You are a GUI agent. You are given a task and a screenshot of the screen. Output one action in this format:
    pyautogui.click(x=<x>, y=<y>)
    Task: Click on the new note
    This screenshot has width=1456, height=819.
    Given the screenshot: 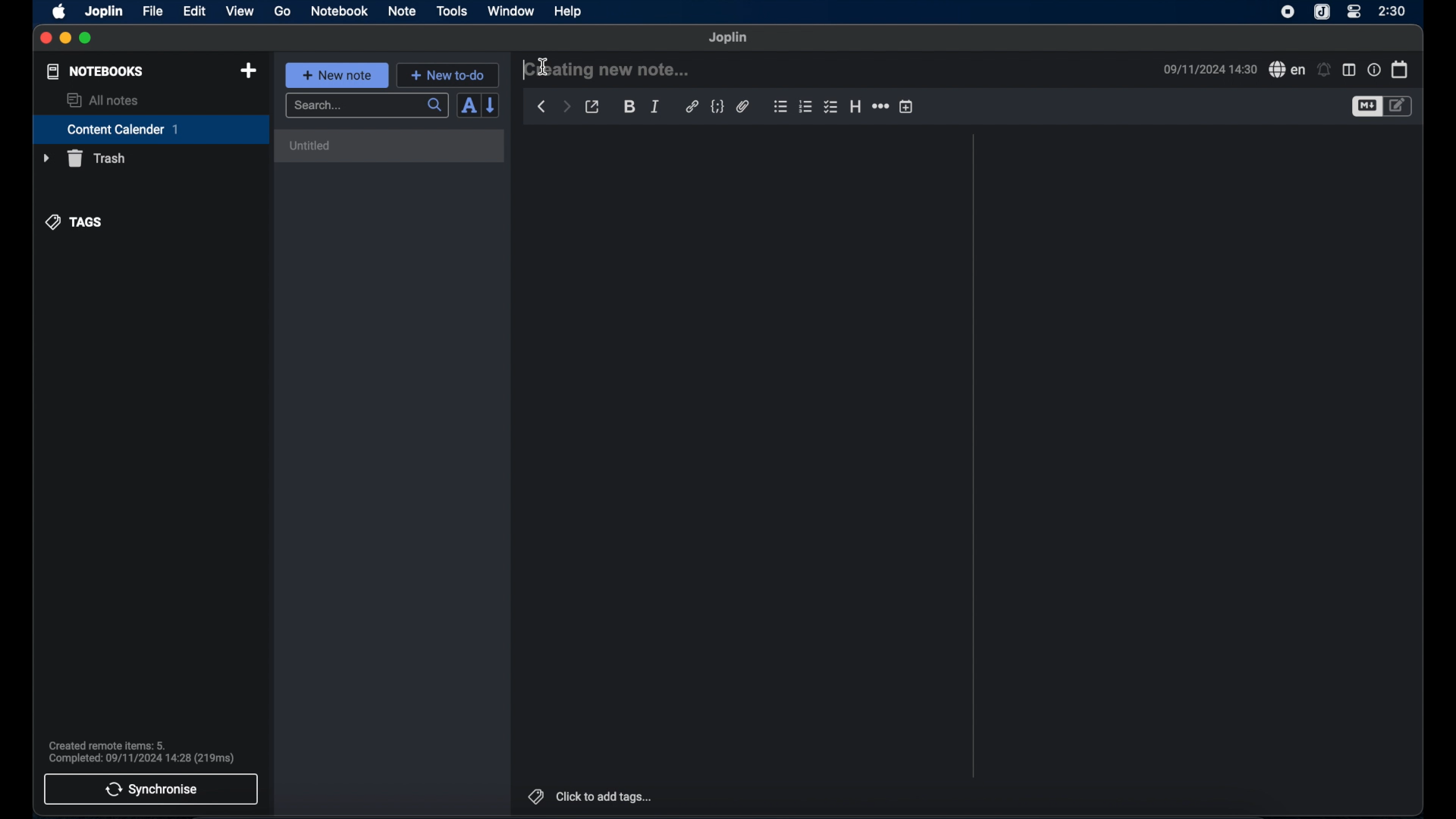 What is the action you would take?
    pyautogui.click(x=337, y=75)
    